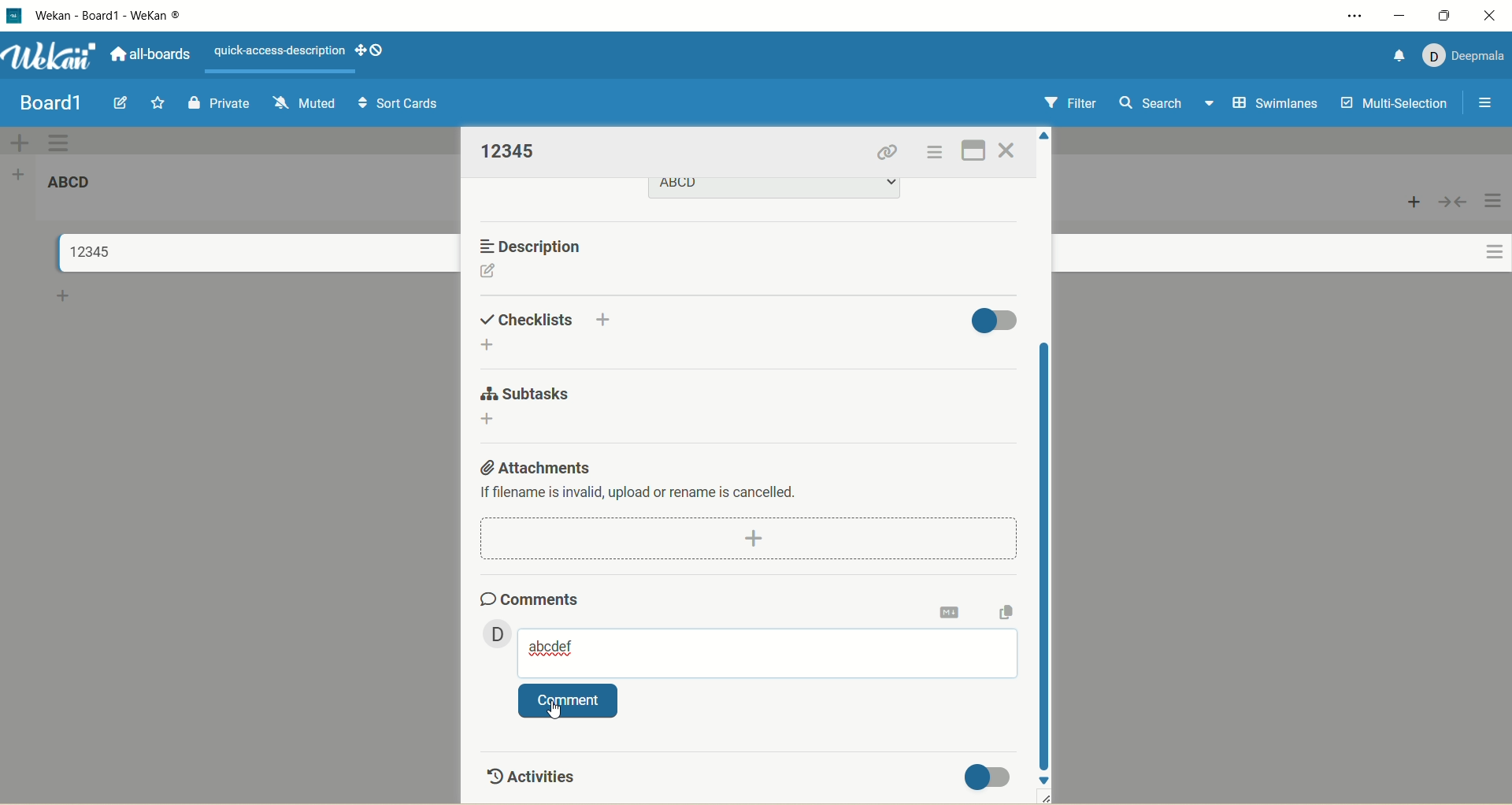 This screenshot has height=805, width=1512. What do you see at coordinates (995, 318) in the screenshot?
I see `toggle button` at bounding box center [995, 318].